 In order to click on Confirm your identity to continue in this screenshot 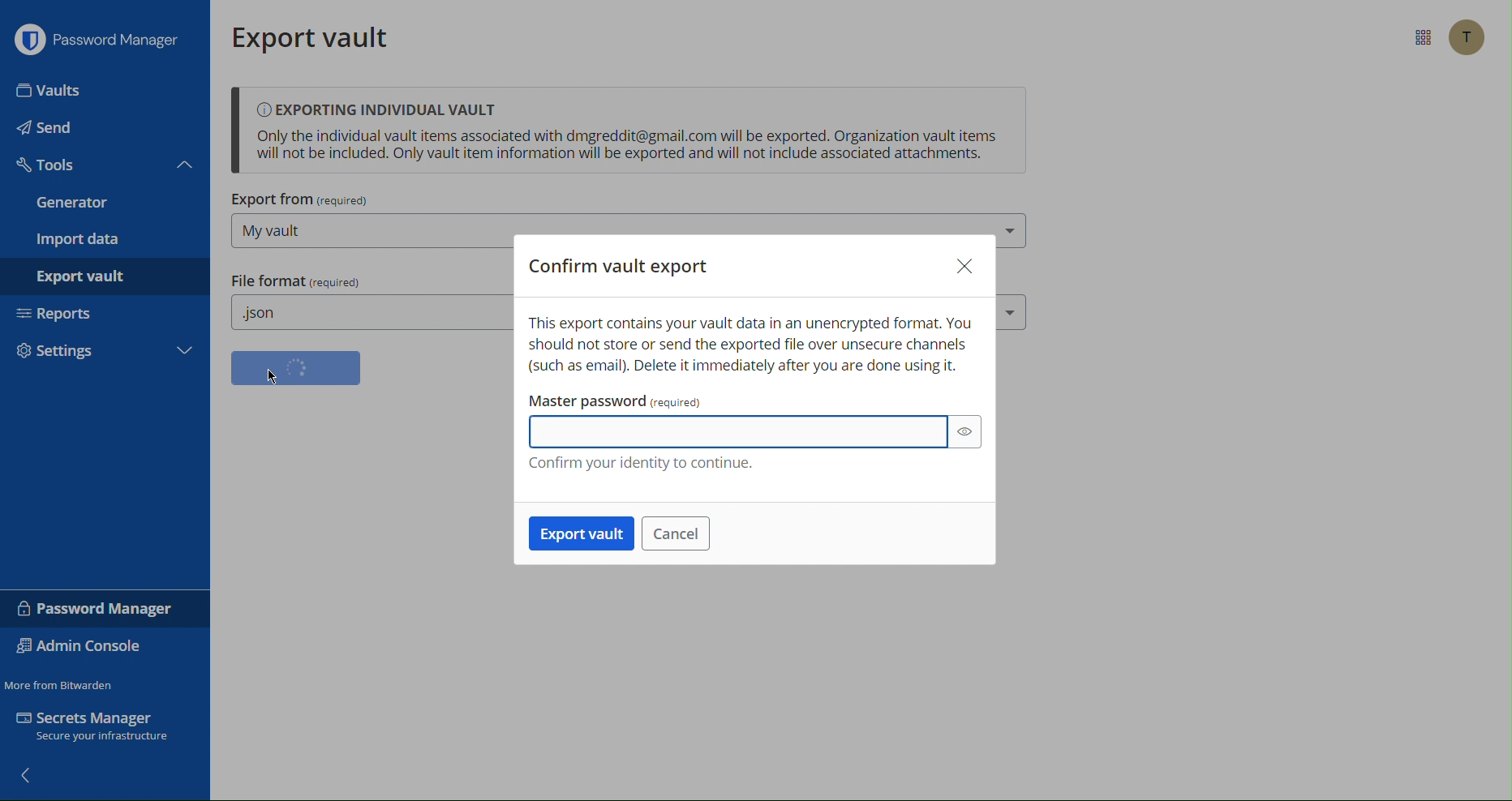, I will do `click(648, 464)`.